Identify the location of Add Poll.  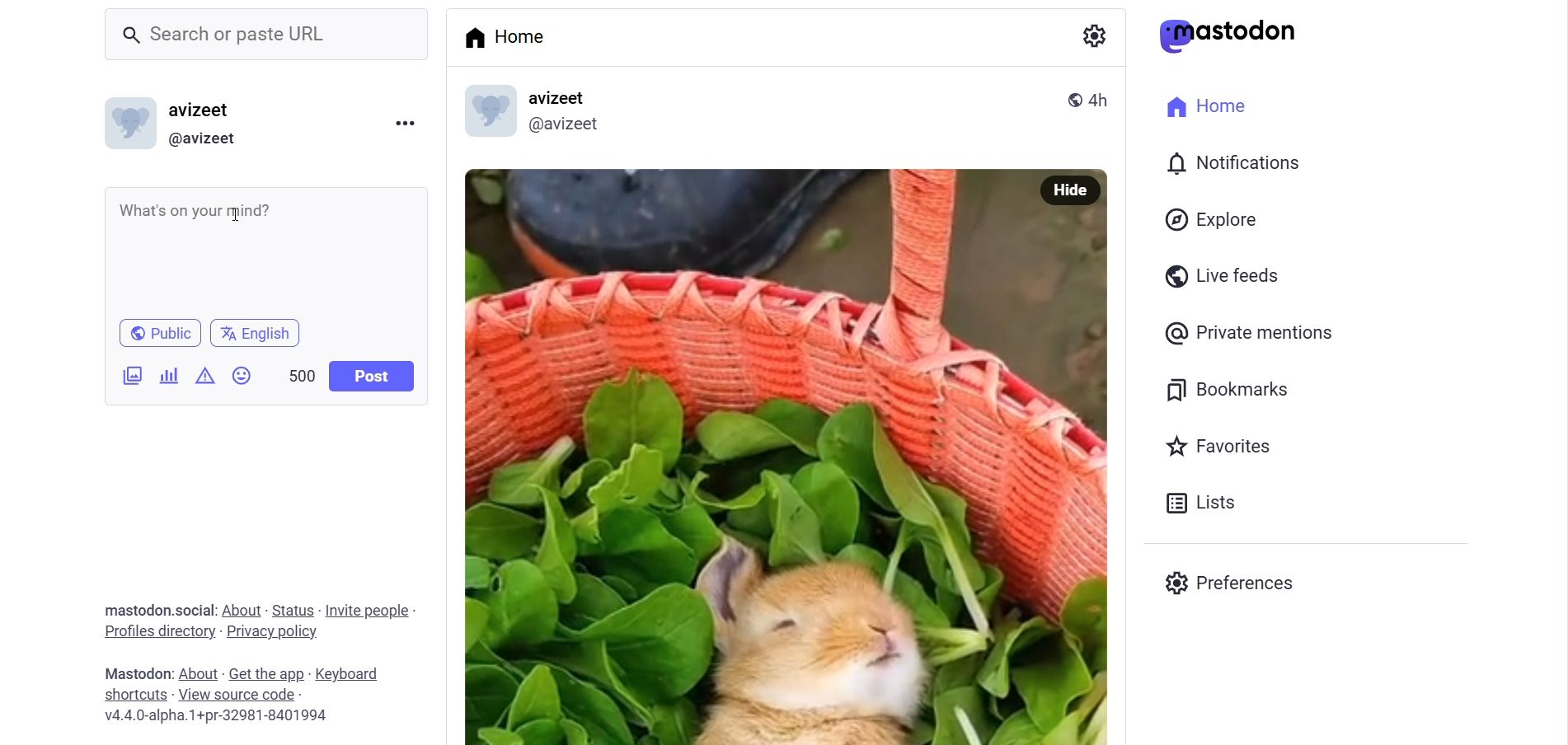
(168, 374).